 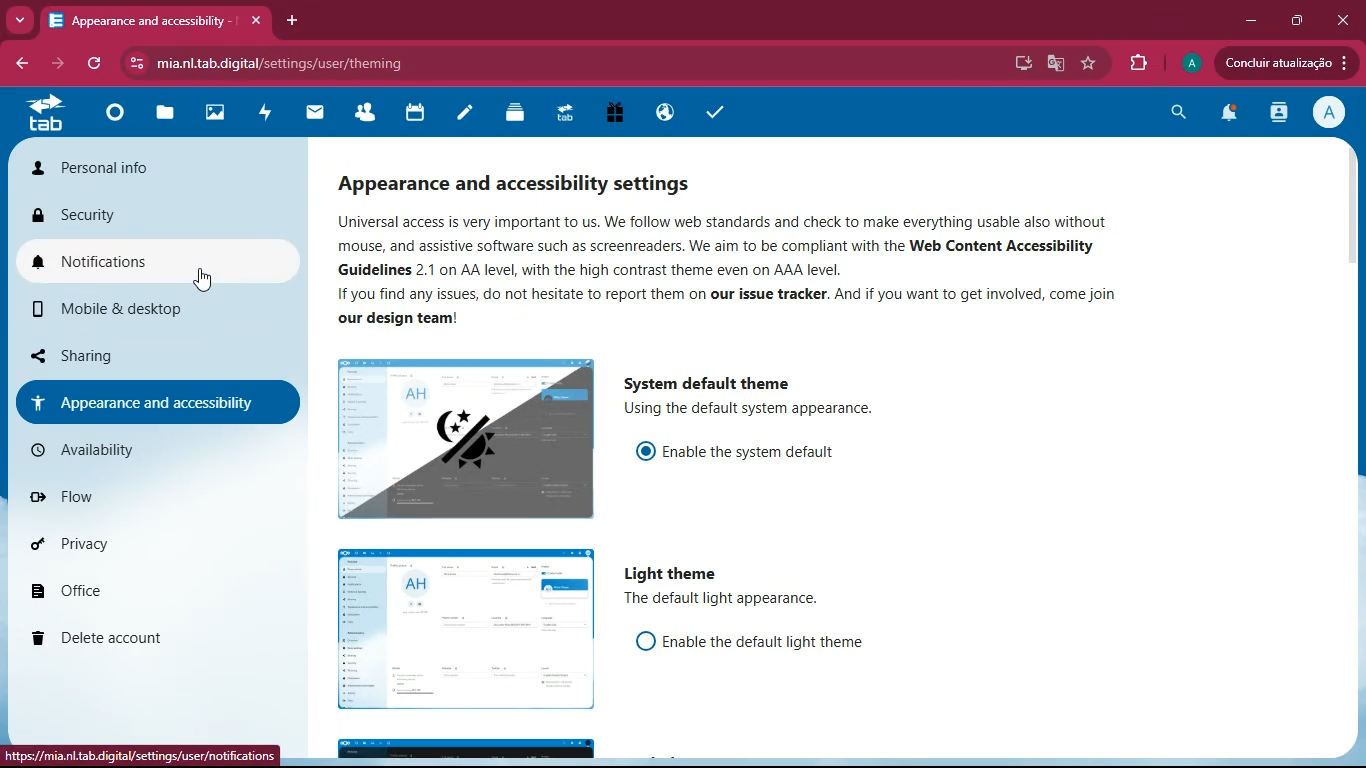 I want to click on activity, so click(x=266, y=113).